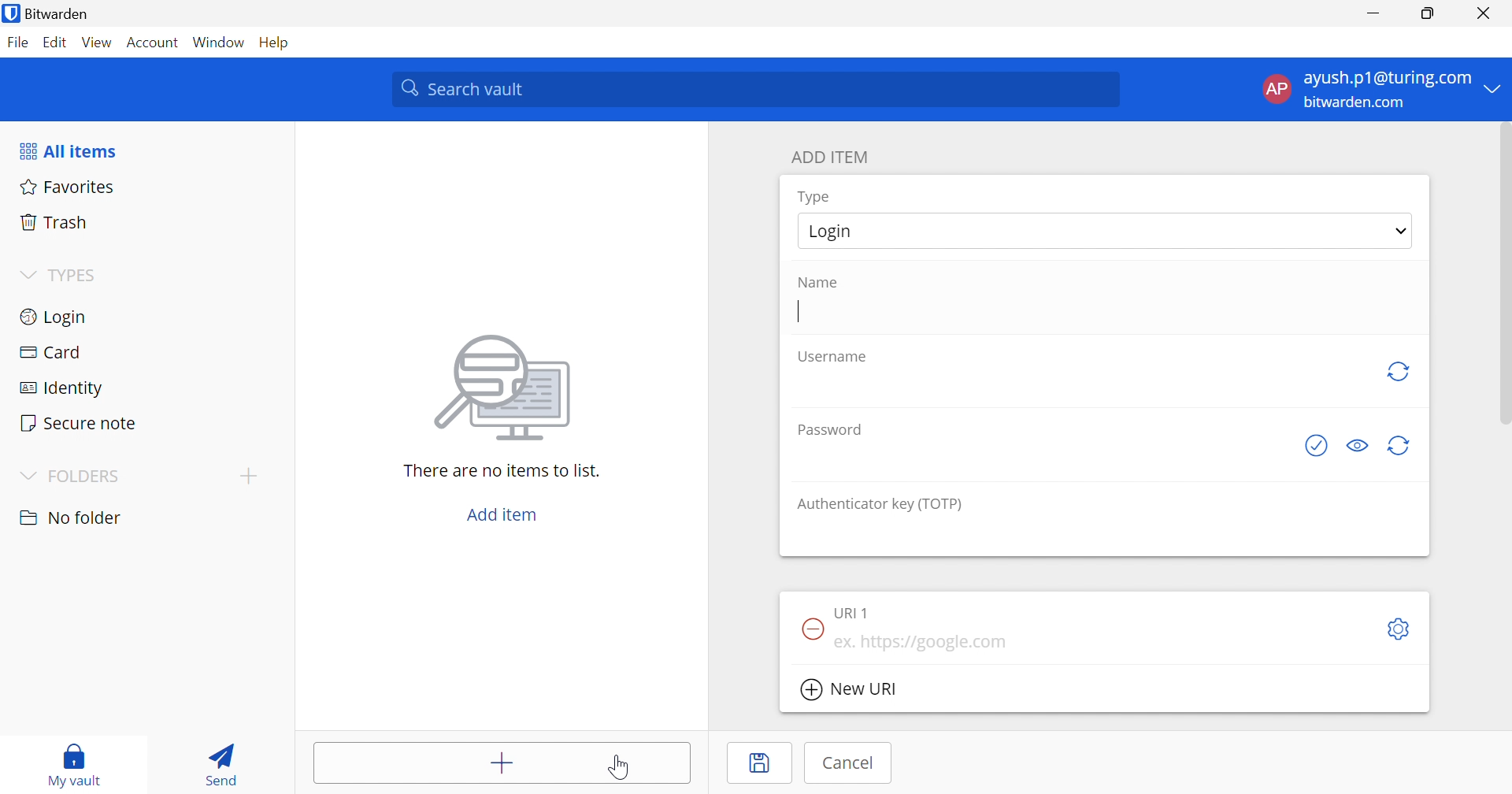 The width and height of the screenshot is (1512, 794). I want to click on Add item, so click(502, 514).